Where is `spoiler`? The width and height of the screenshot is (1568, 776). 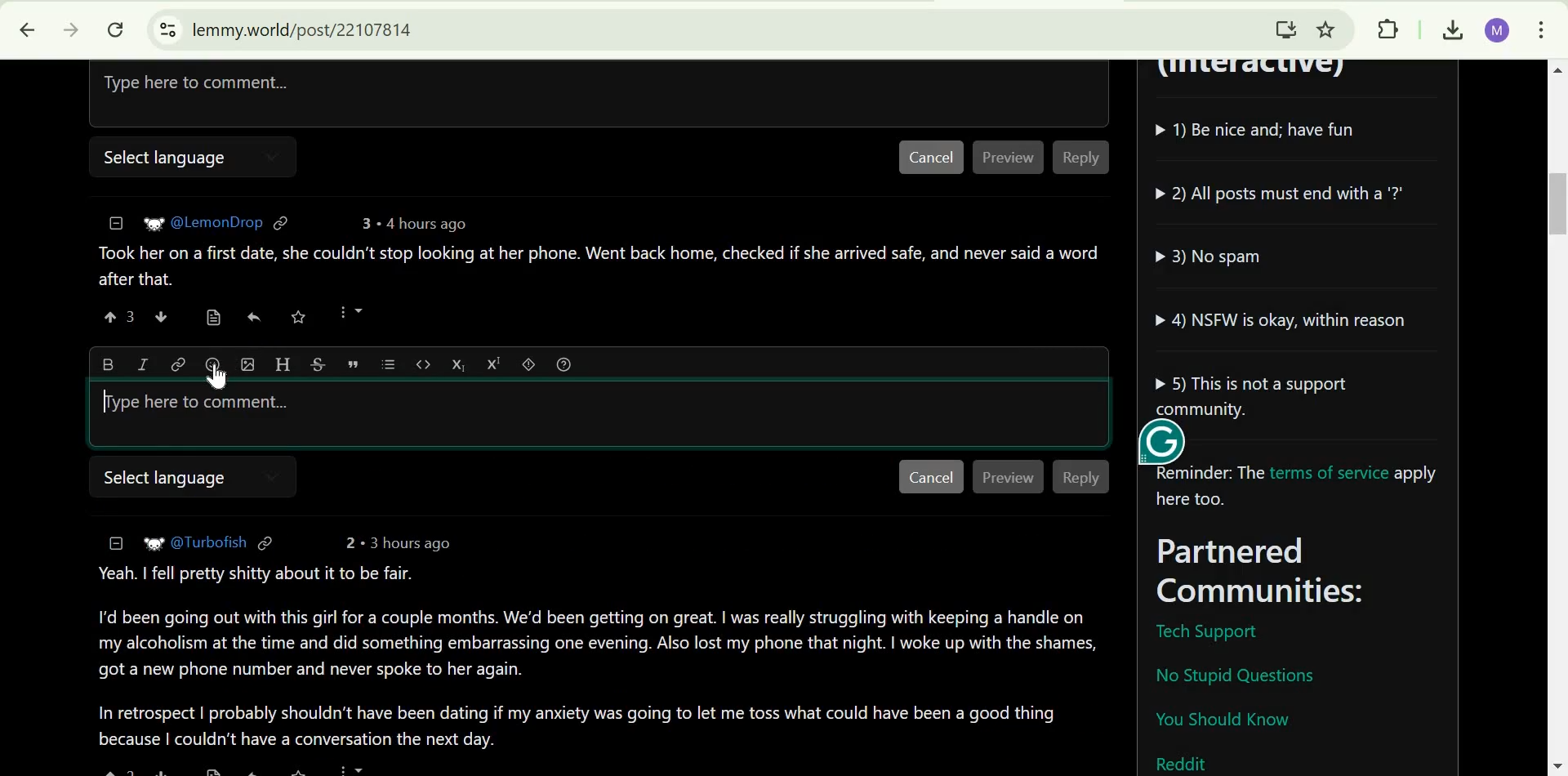 spoiler is located at coordinates (529, 363).